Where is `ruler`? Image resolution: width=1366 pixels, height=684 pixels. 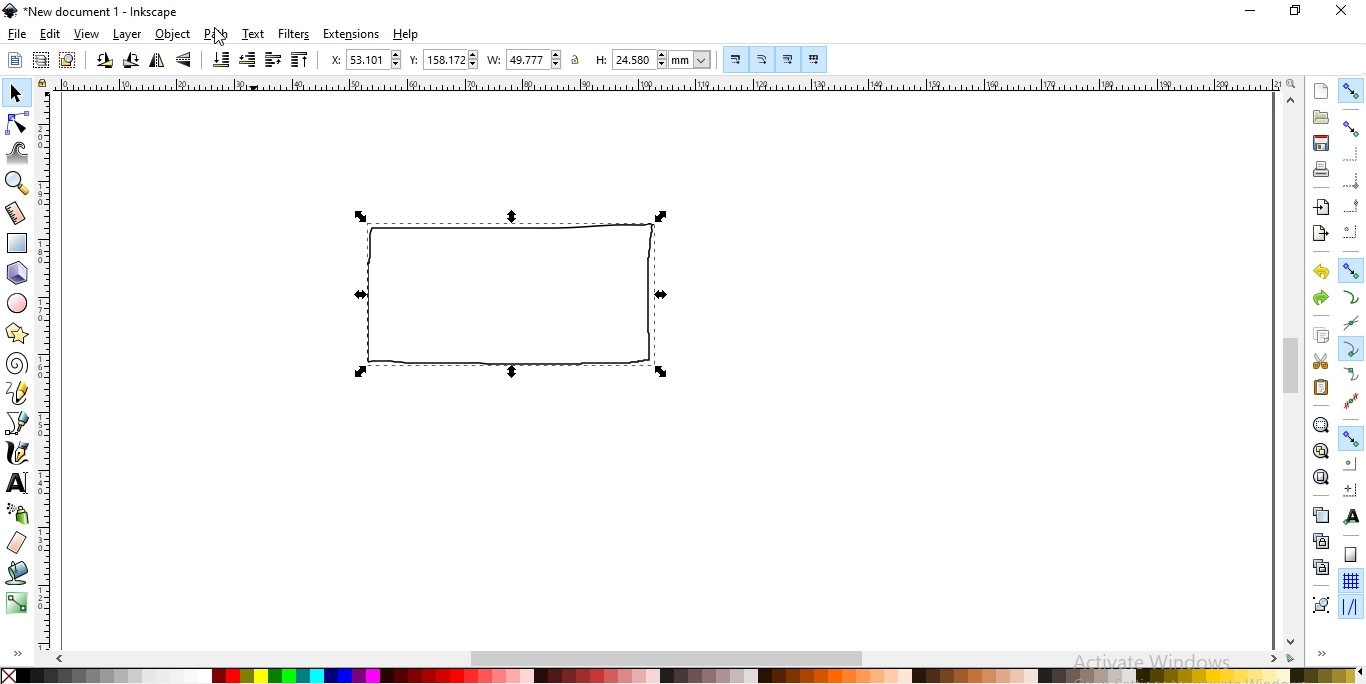 ruler is located at coordinates (666, 86).